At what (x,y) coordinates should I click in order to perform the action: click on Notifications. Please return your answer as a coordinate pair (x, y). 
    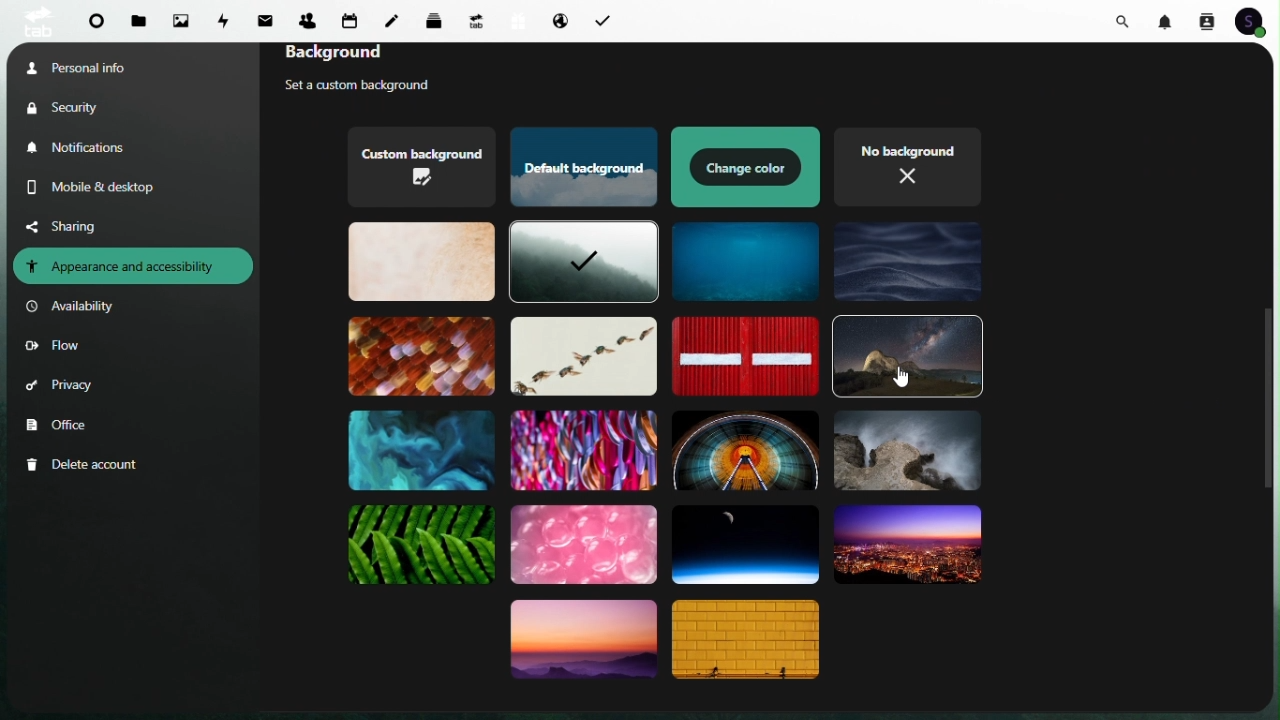
    Looking at the image, I should click on (85, 148).